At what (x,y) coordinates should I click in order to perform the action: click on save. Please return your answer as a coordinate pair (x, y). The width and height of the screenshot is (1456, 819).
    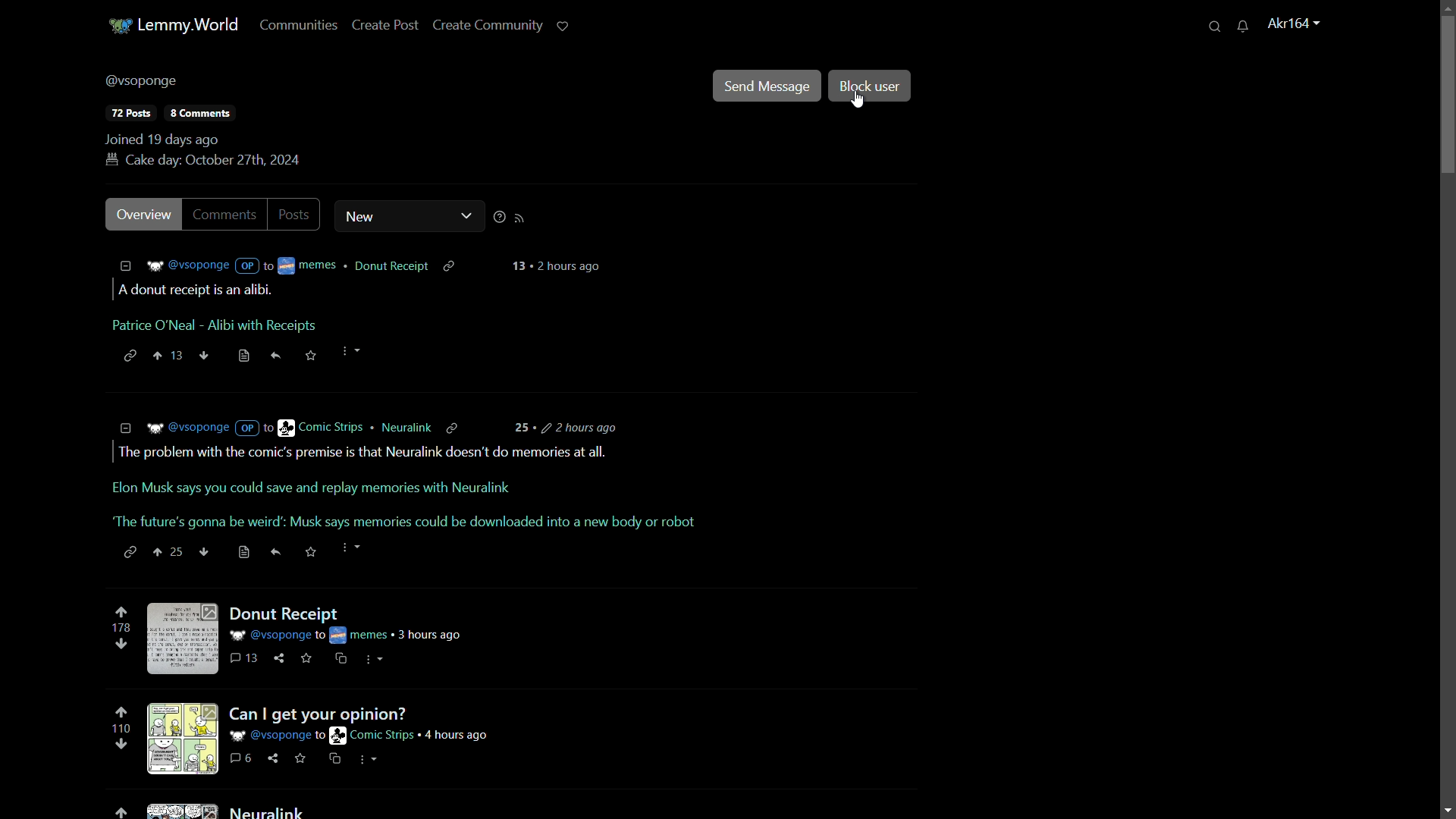
    Looking at the image, I should click on (241, 553).